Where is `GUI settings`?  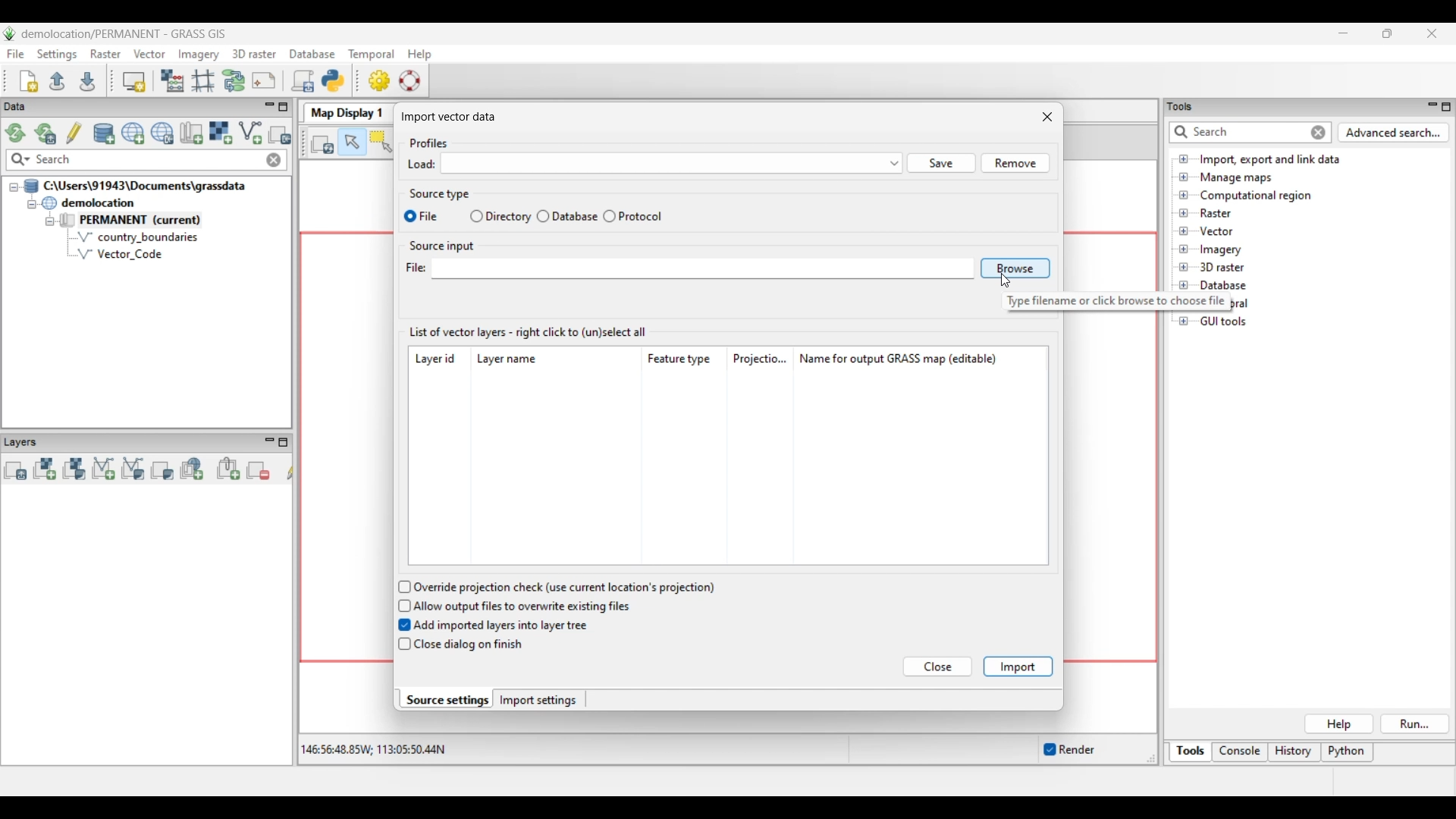 GUI settings is located at coordinates (378, 80).